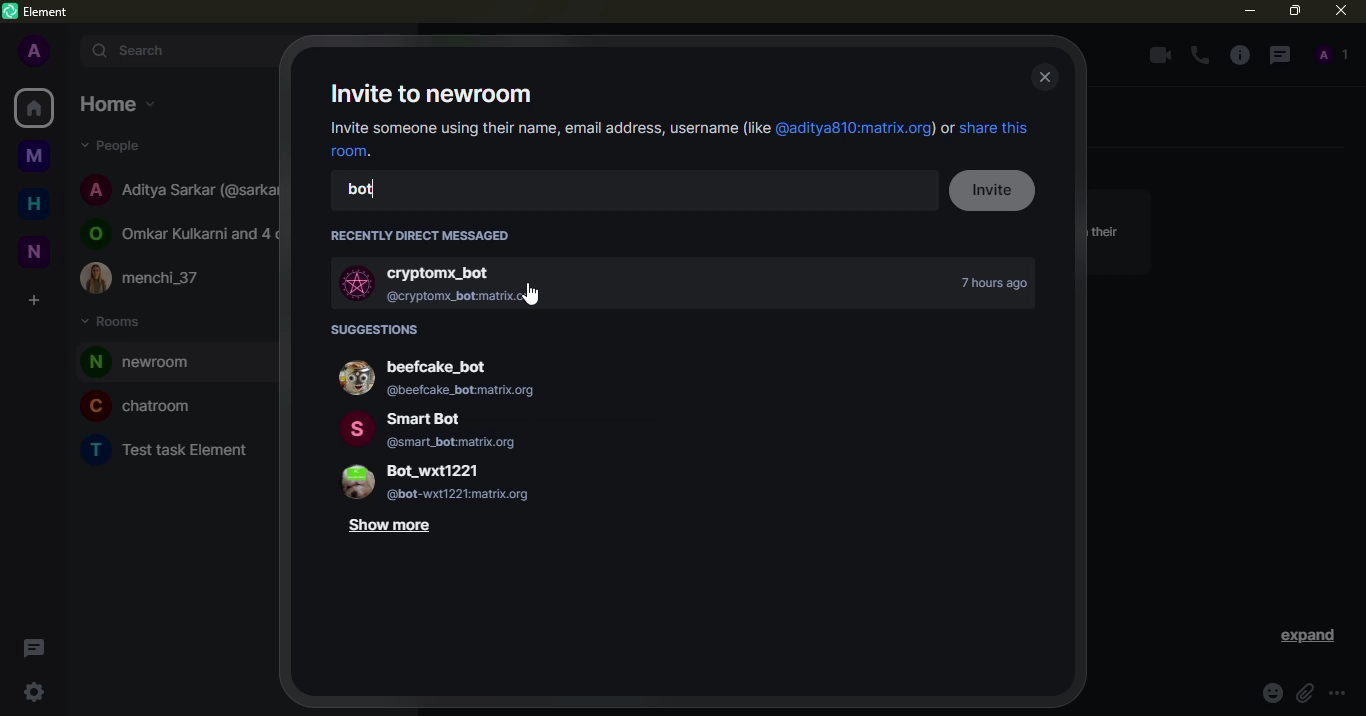 The image size is (1366, 716). What do you see at coordinates (119, 146) in the screenshot?
I see `people` at bounding box center [119, 146].